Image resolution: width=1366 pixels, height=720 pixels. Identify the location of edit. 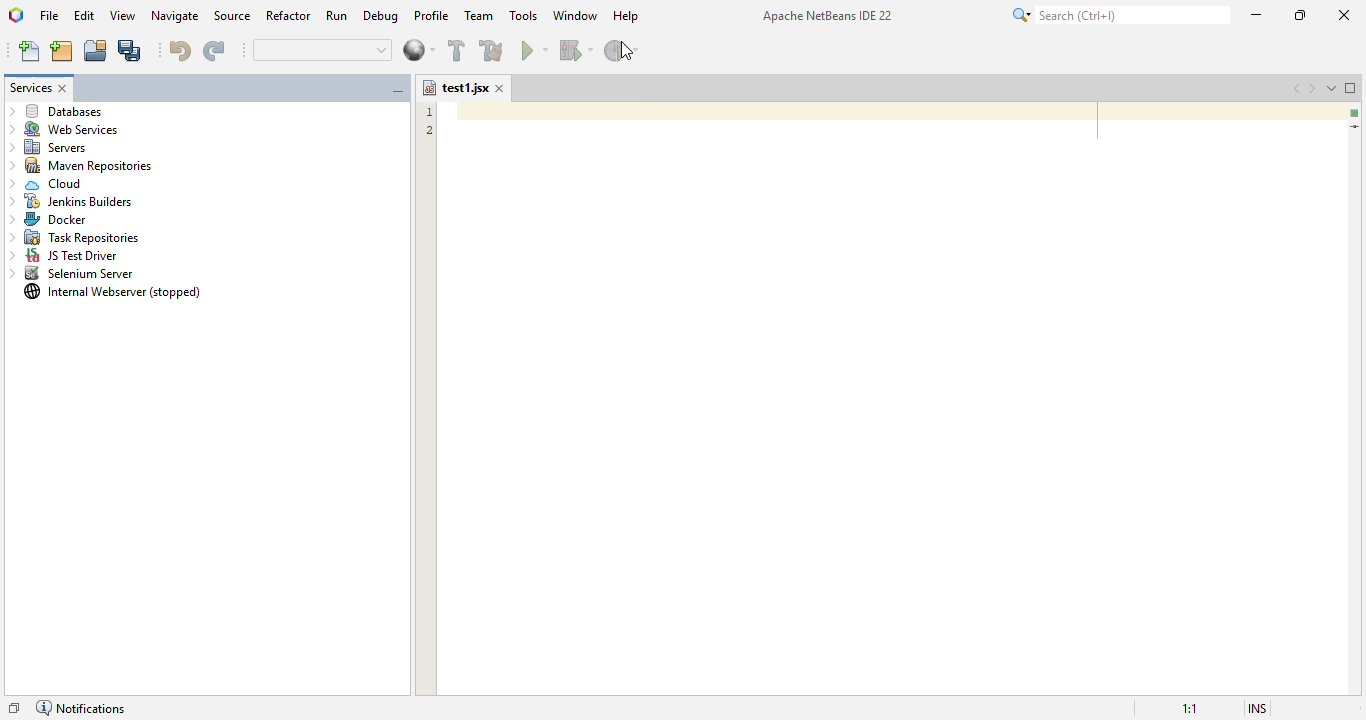
(85, 15).